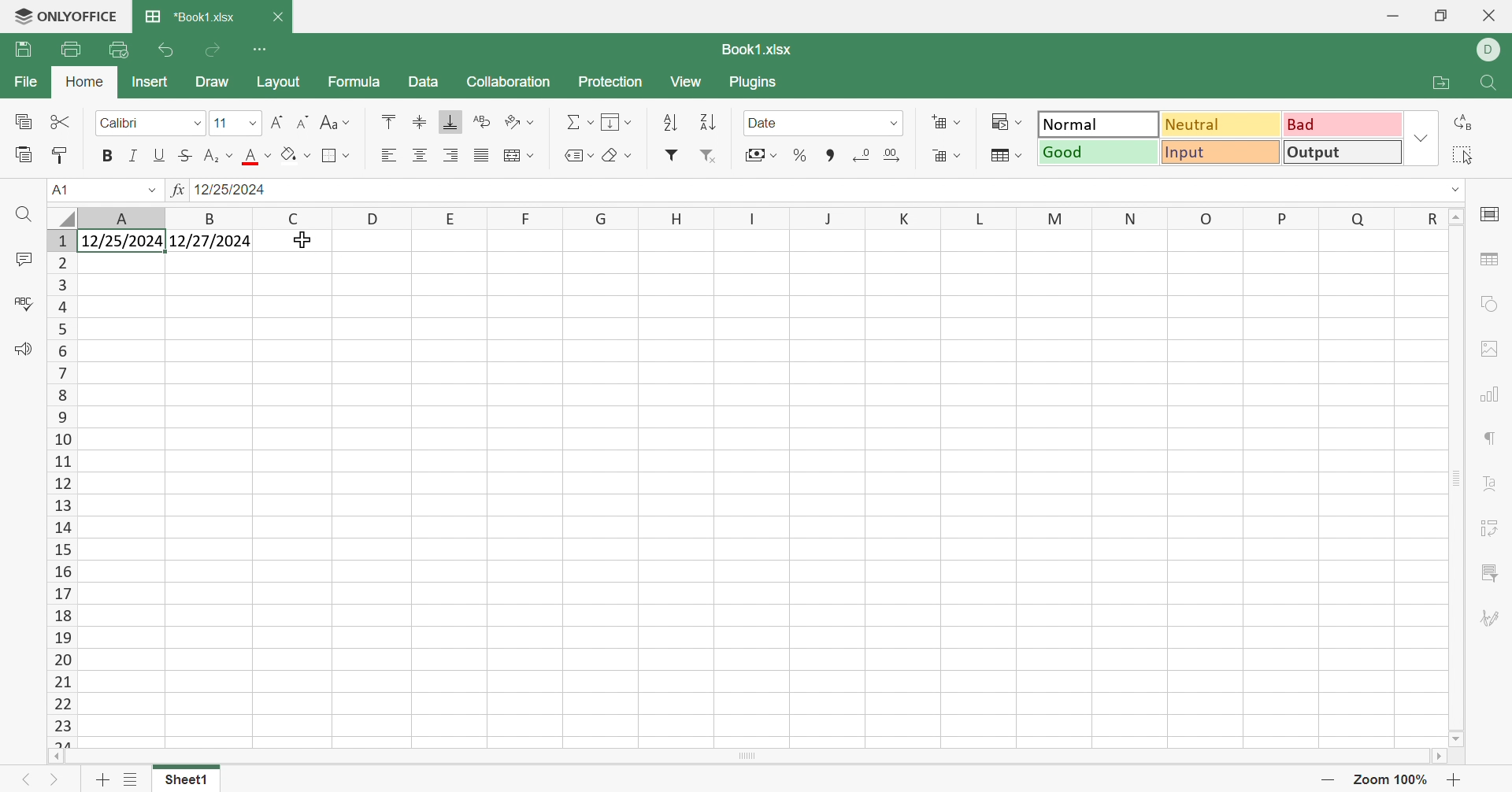 Image resolution: width=1512 pixels, height=792 pixels. I want to click on Home, so click(83, 83).